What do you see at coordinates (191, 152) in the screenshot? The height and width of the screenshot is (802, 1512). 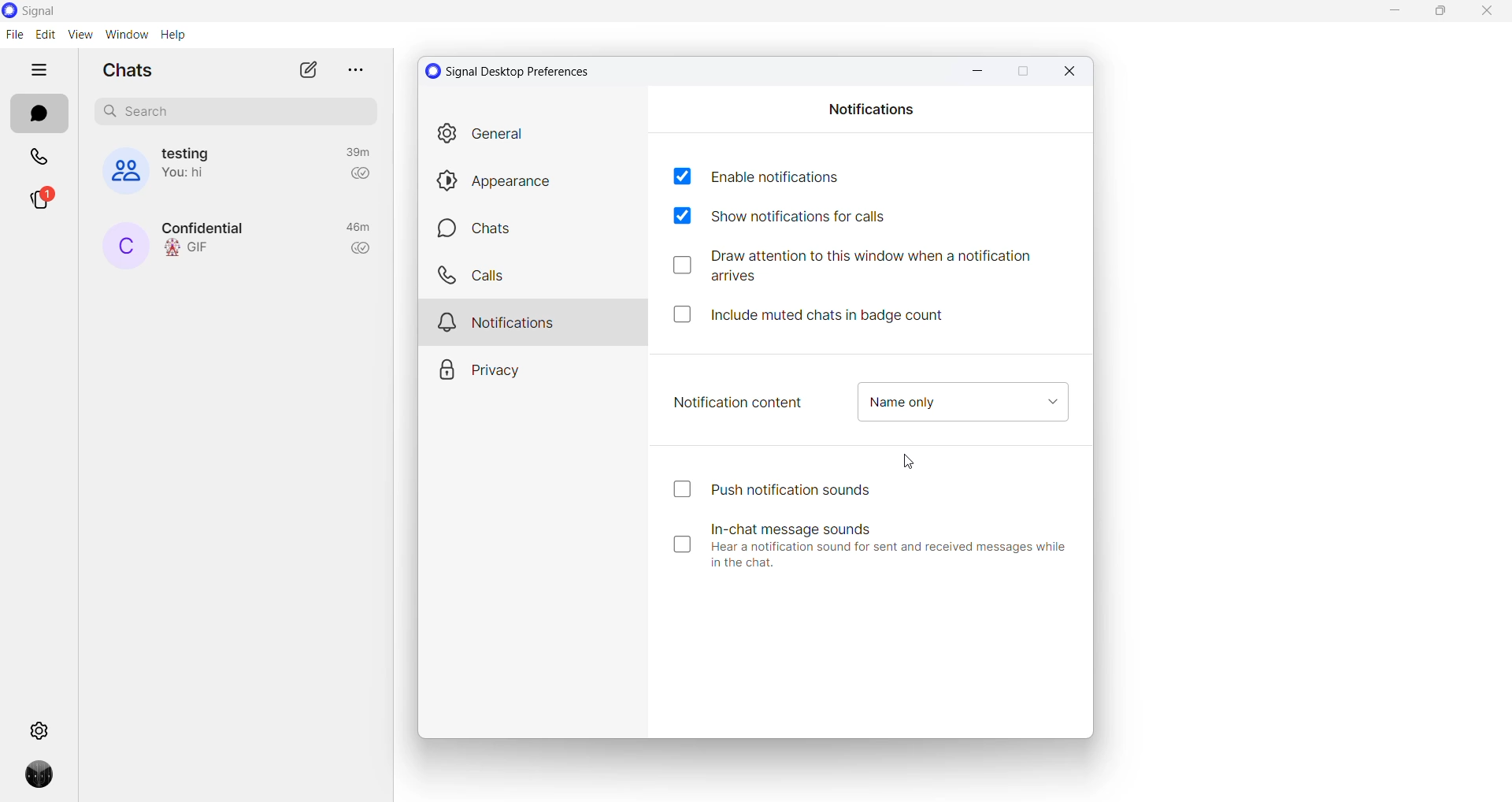 I see `group name` at bounding box center [191, 152].